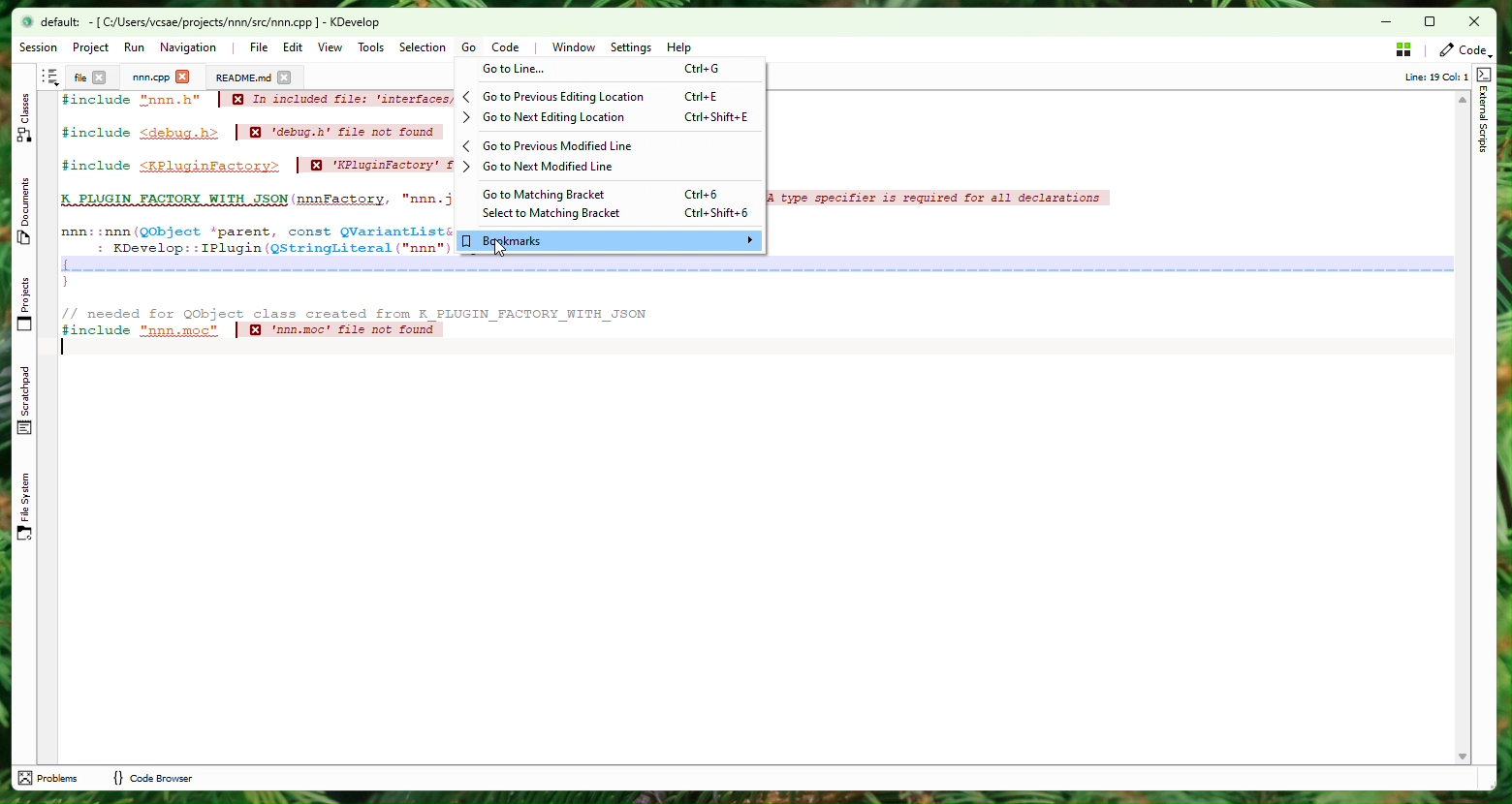 Image resolution: width=1512 pixels, height=804 pixels. Describe the element at coordinates (615, 194) in the screenshot. I see `Go to Matching Bracket` at that location.